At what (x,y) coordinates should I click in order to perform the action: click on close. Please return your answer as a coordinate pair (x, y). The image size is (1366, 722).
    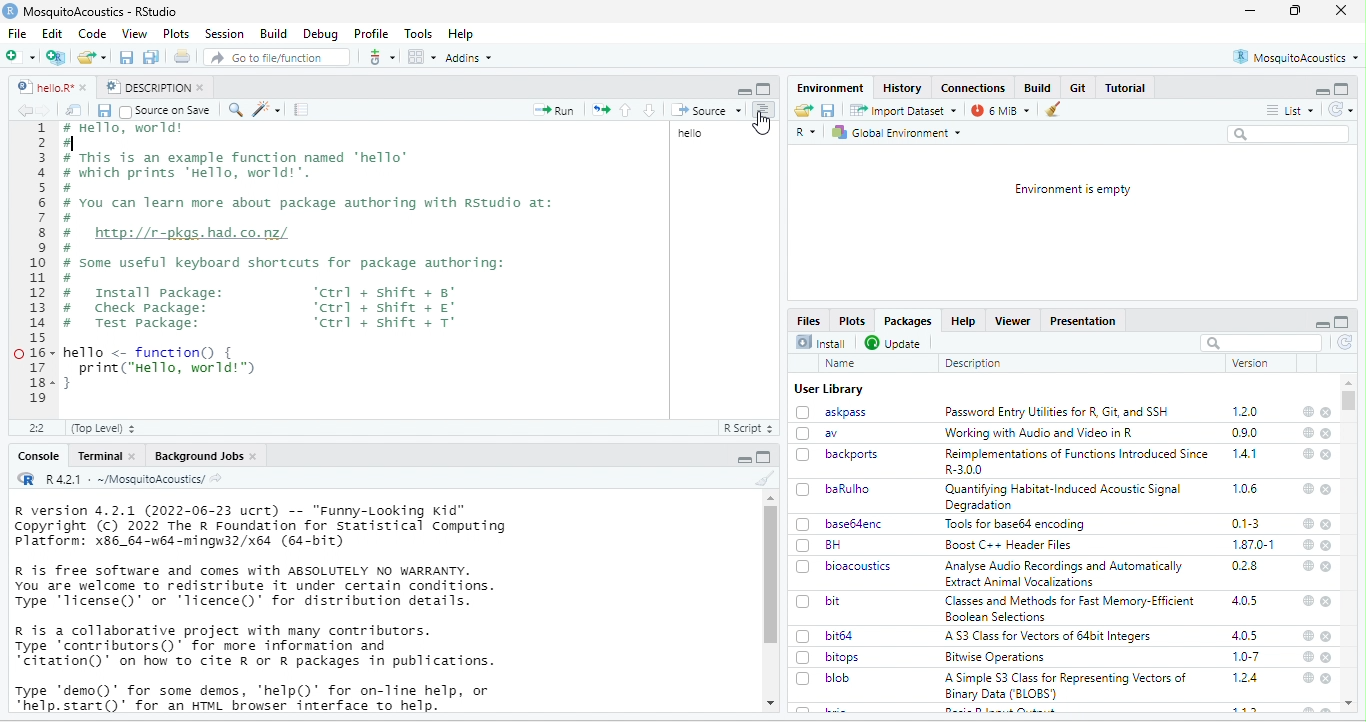
    Looking at the image, I should click on (1328, 490).